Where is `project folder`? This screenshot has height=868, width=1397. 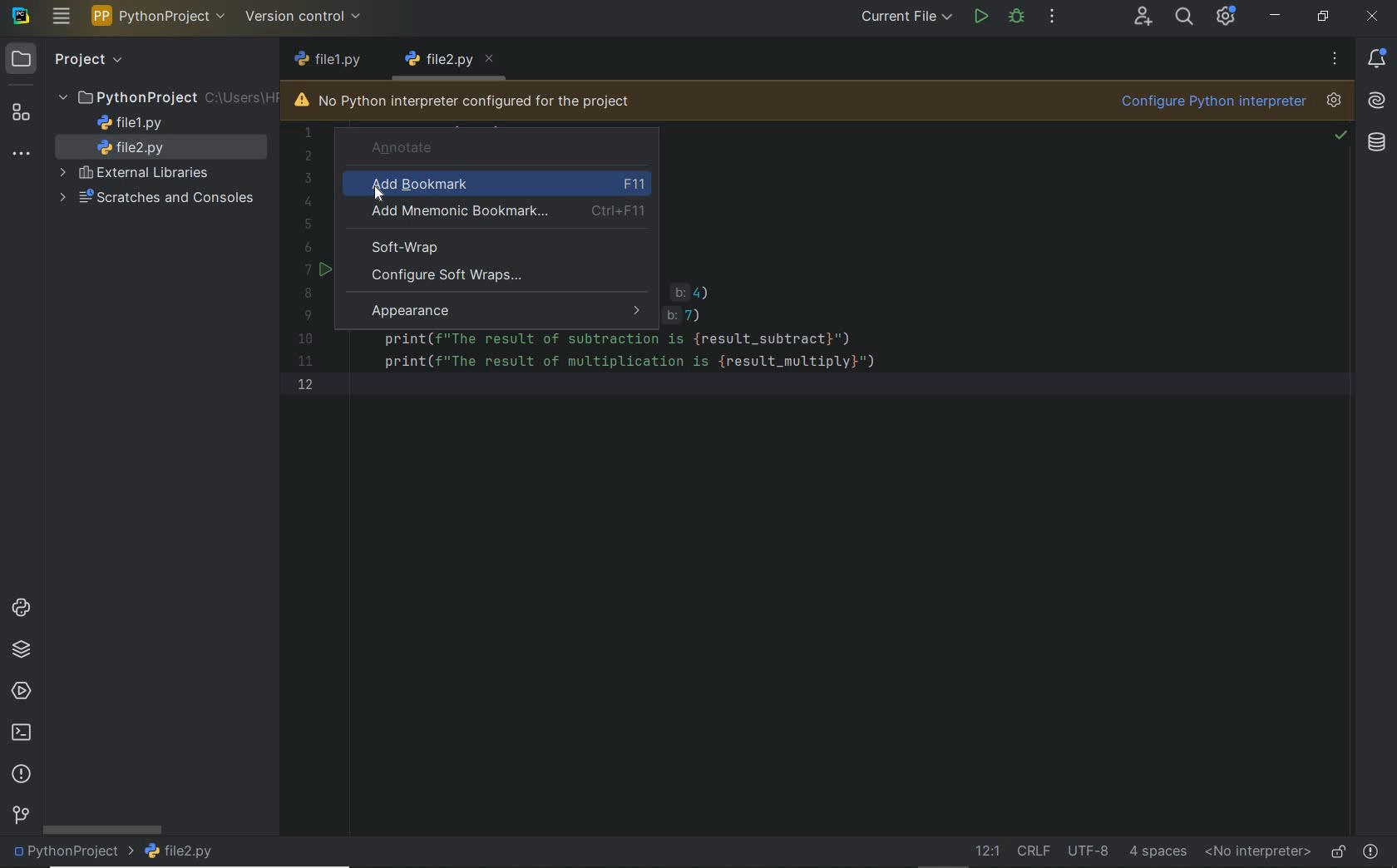
project folder is located at coordinates (166, 98).